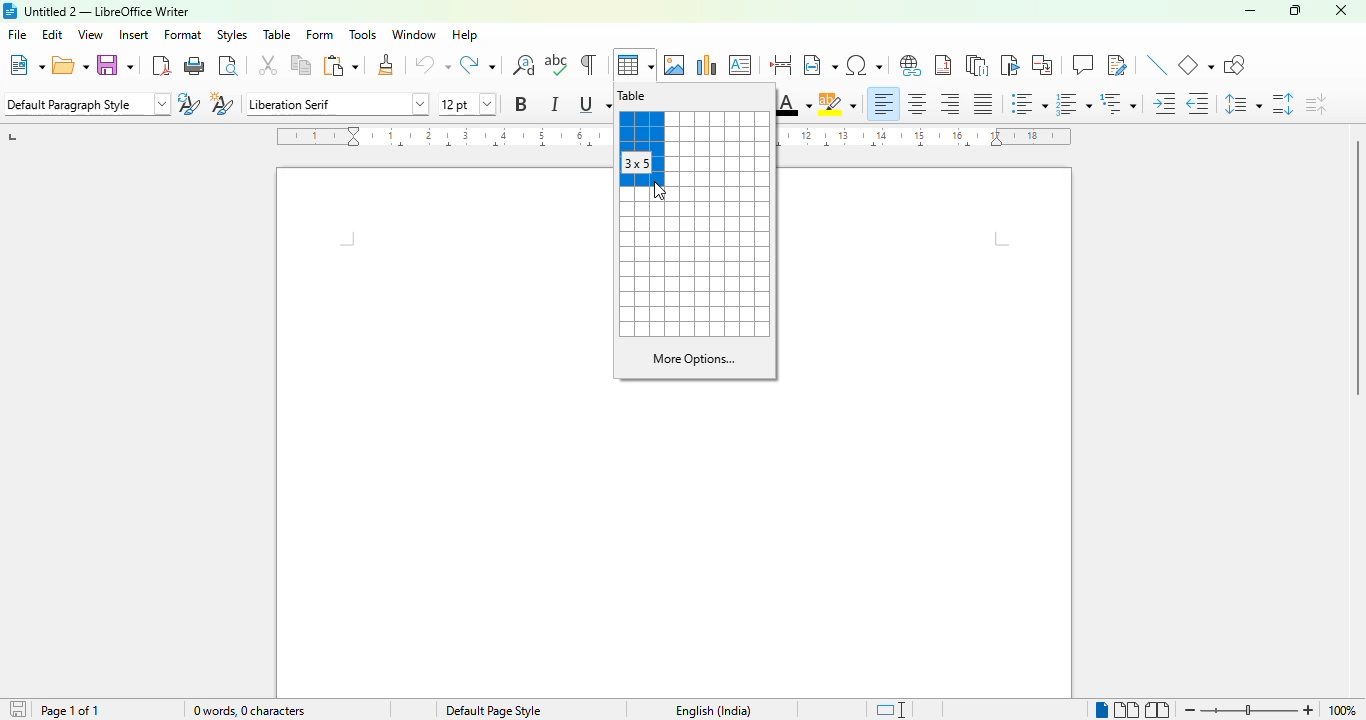 The width and height of the screenshot is (1366, 720). I want to click on multi-page view, so click(1128, 710).